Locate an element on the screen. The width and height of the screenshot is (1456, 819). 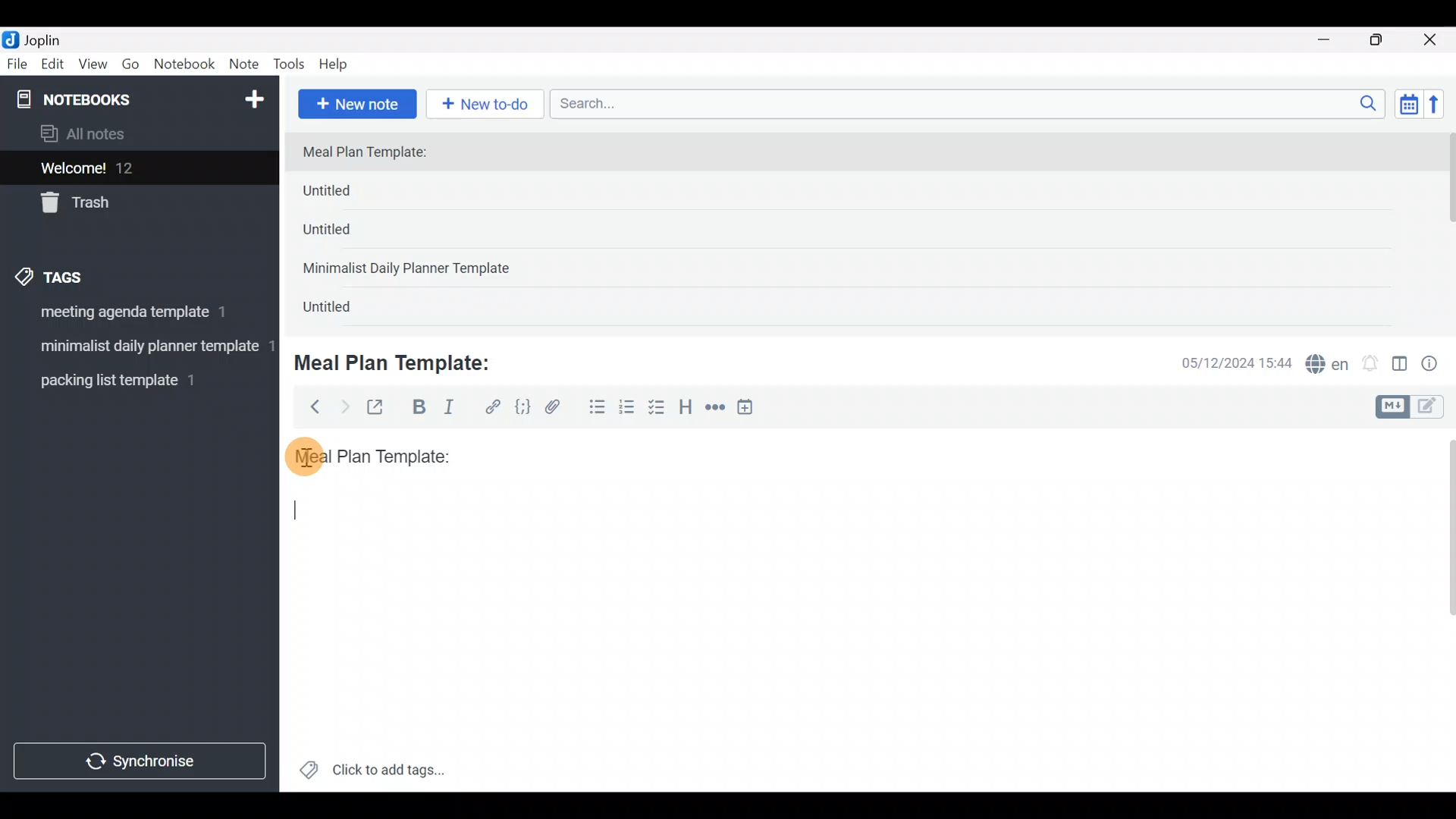
Bulleted list is located at coordinates (594, 408).